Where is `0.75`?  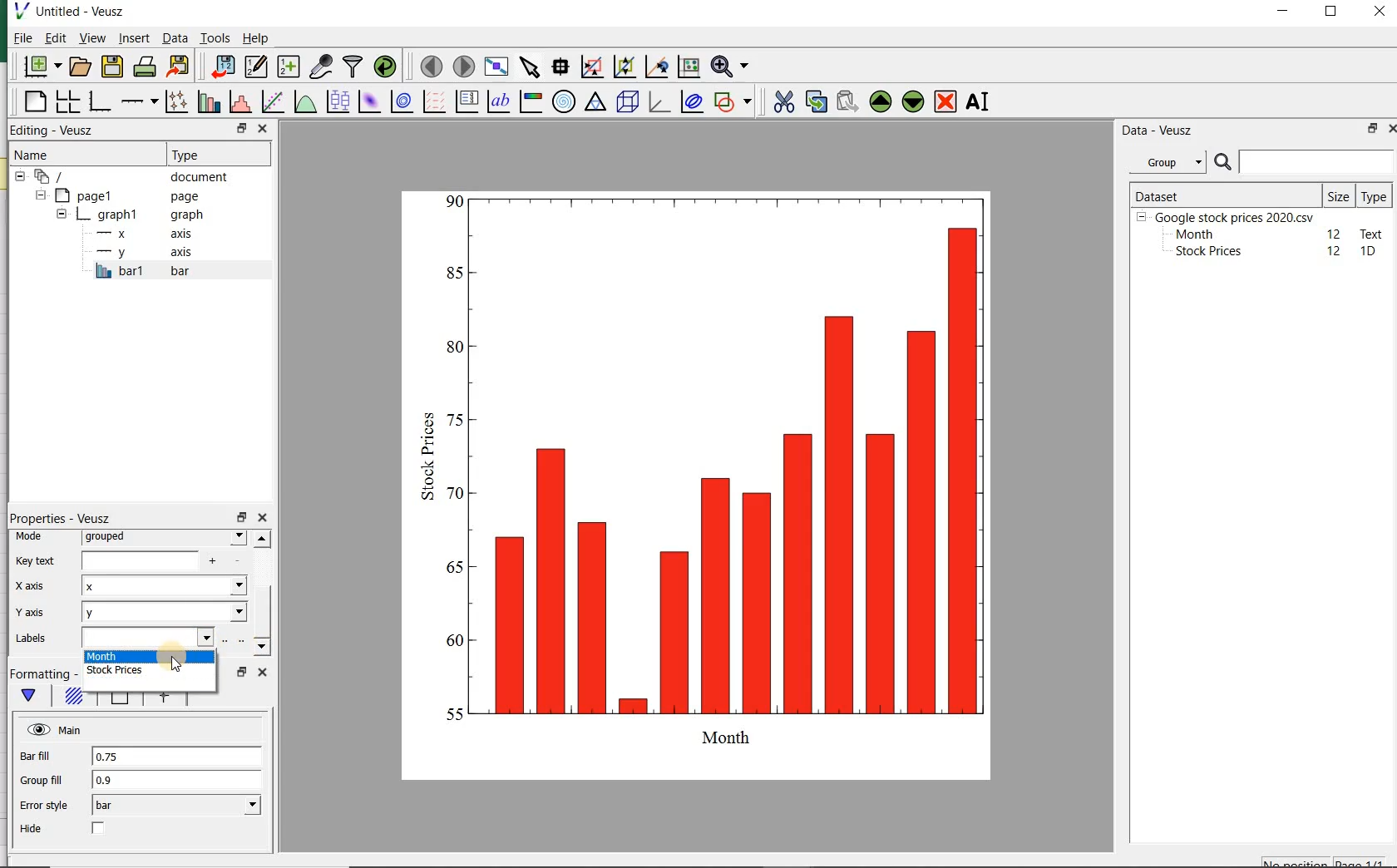
0.75 is located at coordinates (178, 757).